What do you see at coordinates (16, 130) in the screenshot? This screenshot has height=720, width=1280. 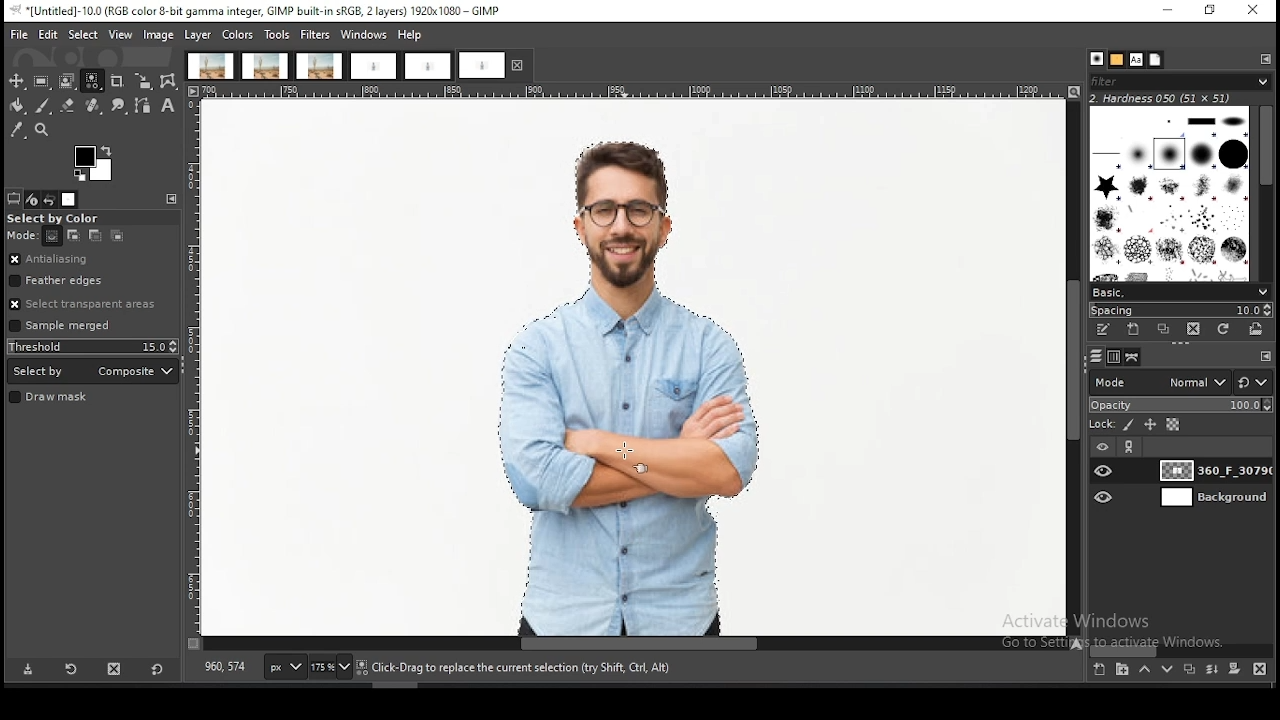 I see `color picker tool` at bounding box center [16, 130].